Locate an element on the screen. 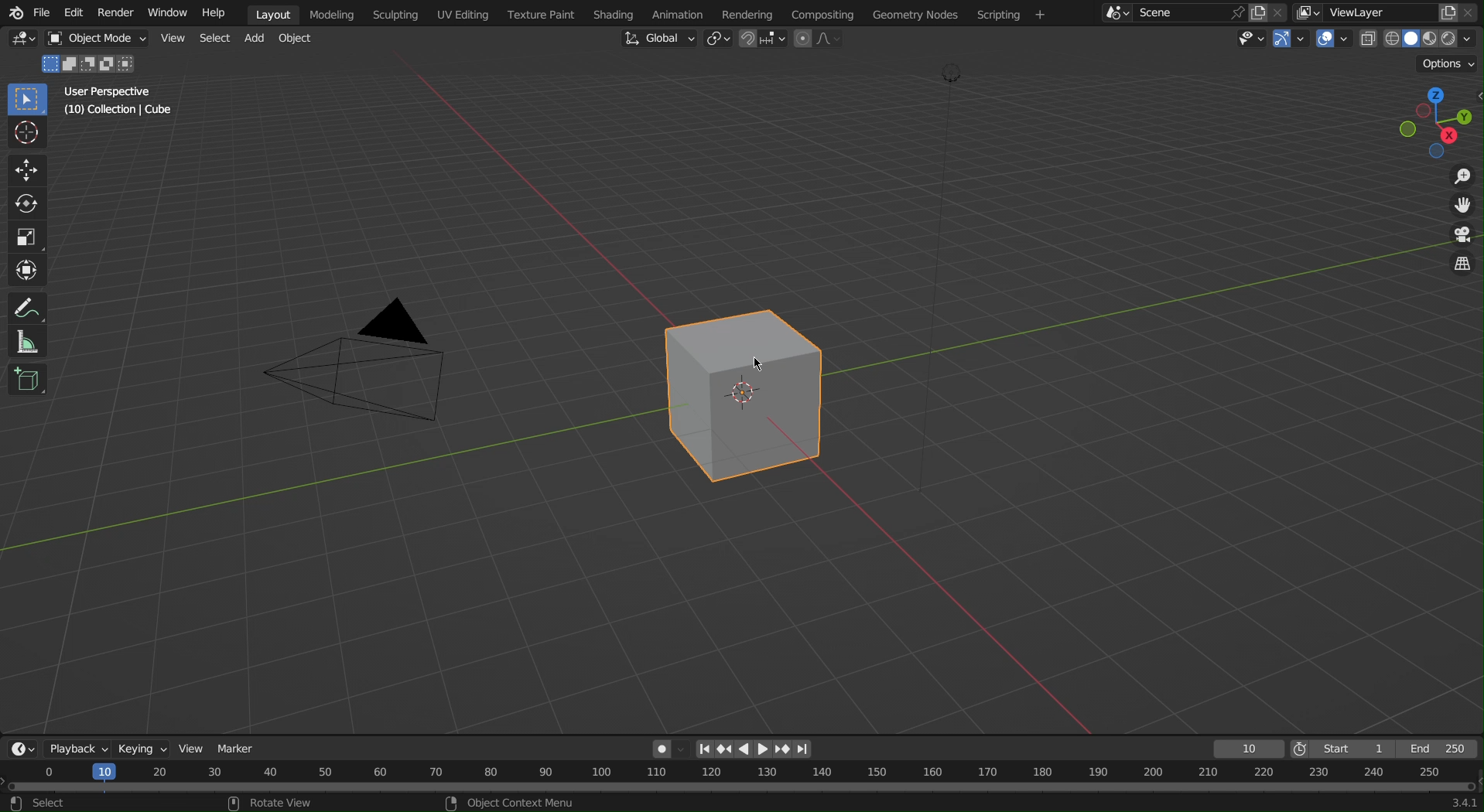 Image resolution: width=1484 pixels, height=812 pixels. Start is located at coordinates (1342, 749).